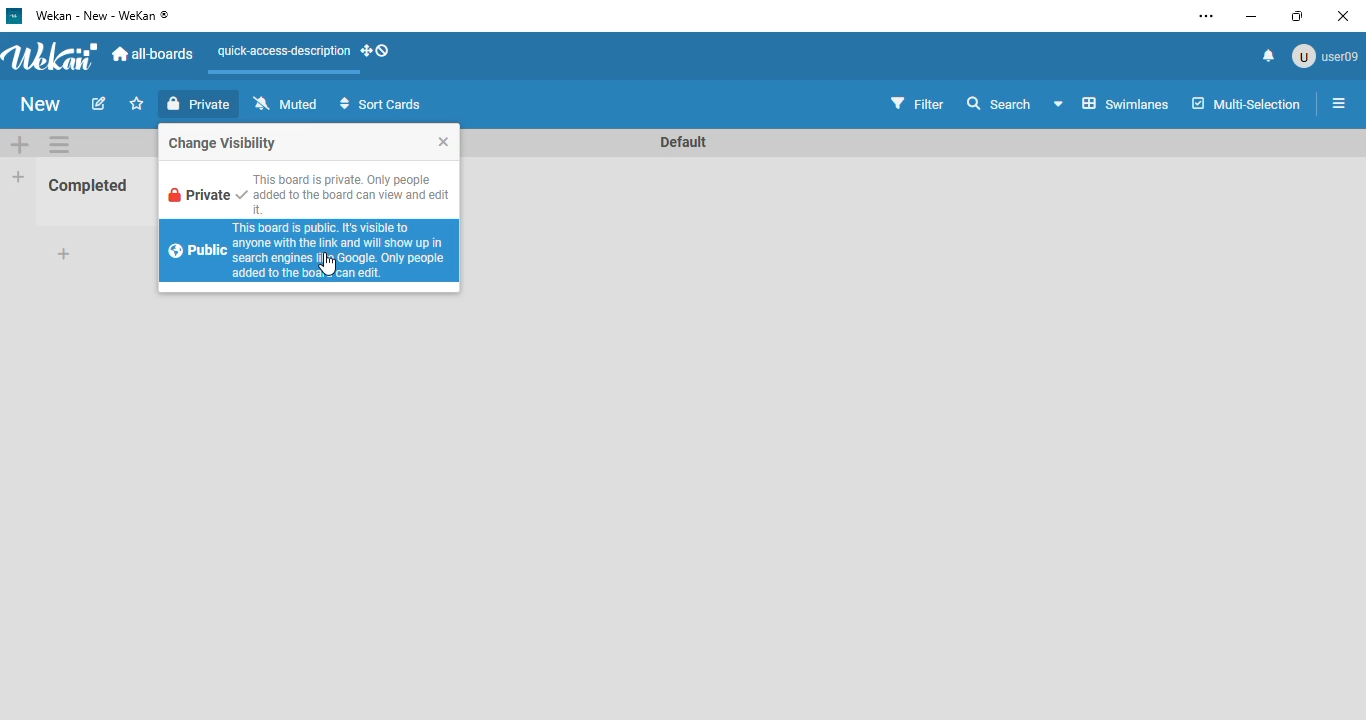 The height and width of the screenshot is (720, 1366). Describe the element at coordinates (916, 104) in the screenshot. I see `filter` at that location.